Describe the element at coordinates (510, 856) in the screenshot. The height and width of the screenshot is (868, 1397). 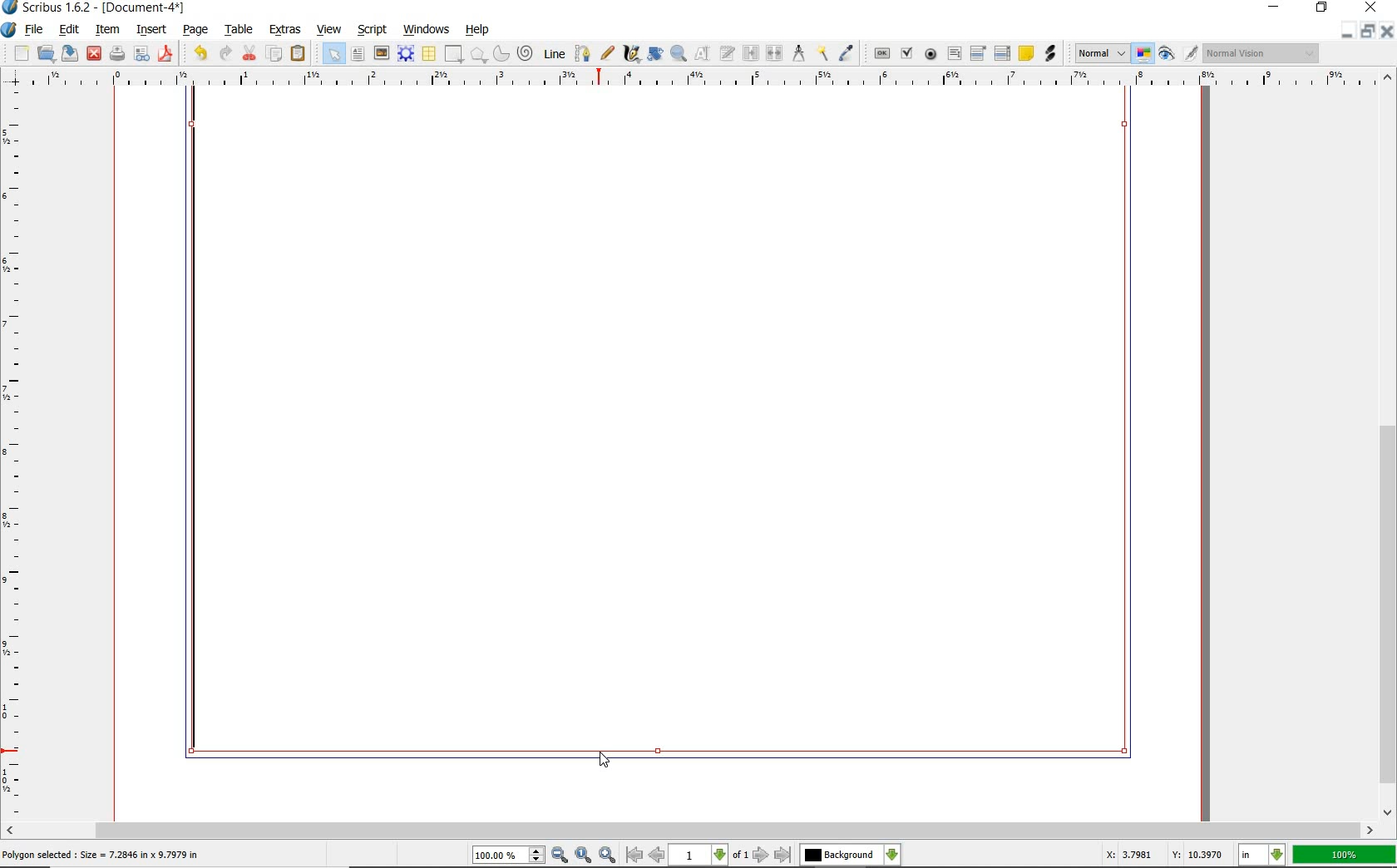
I see `100.00%` at that location.